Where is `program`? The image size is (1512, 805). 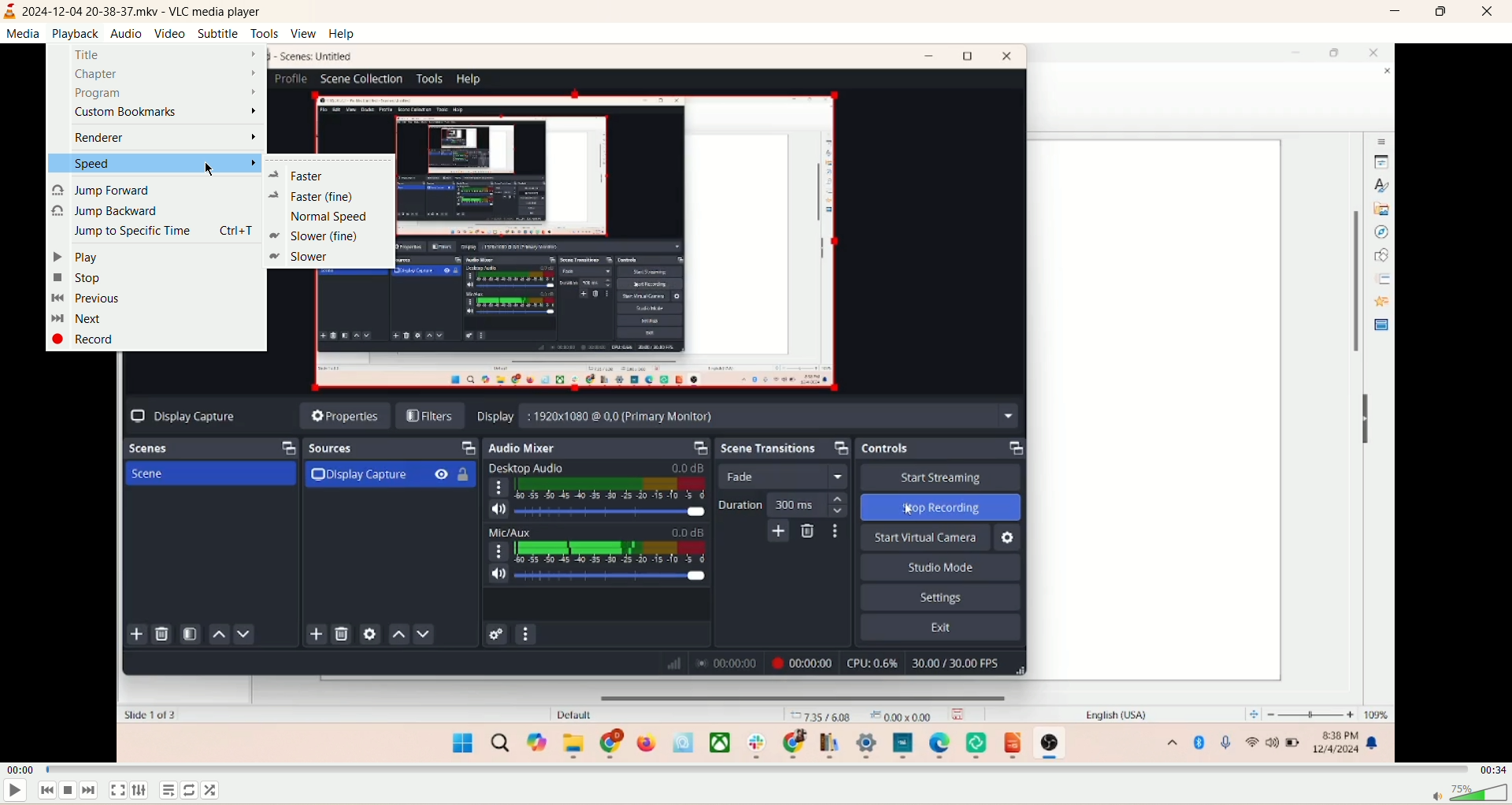 program is located at coordinates (164, 93).